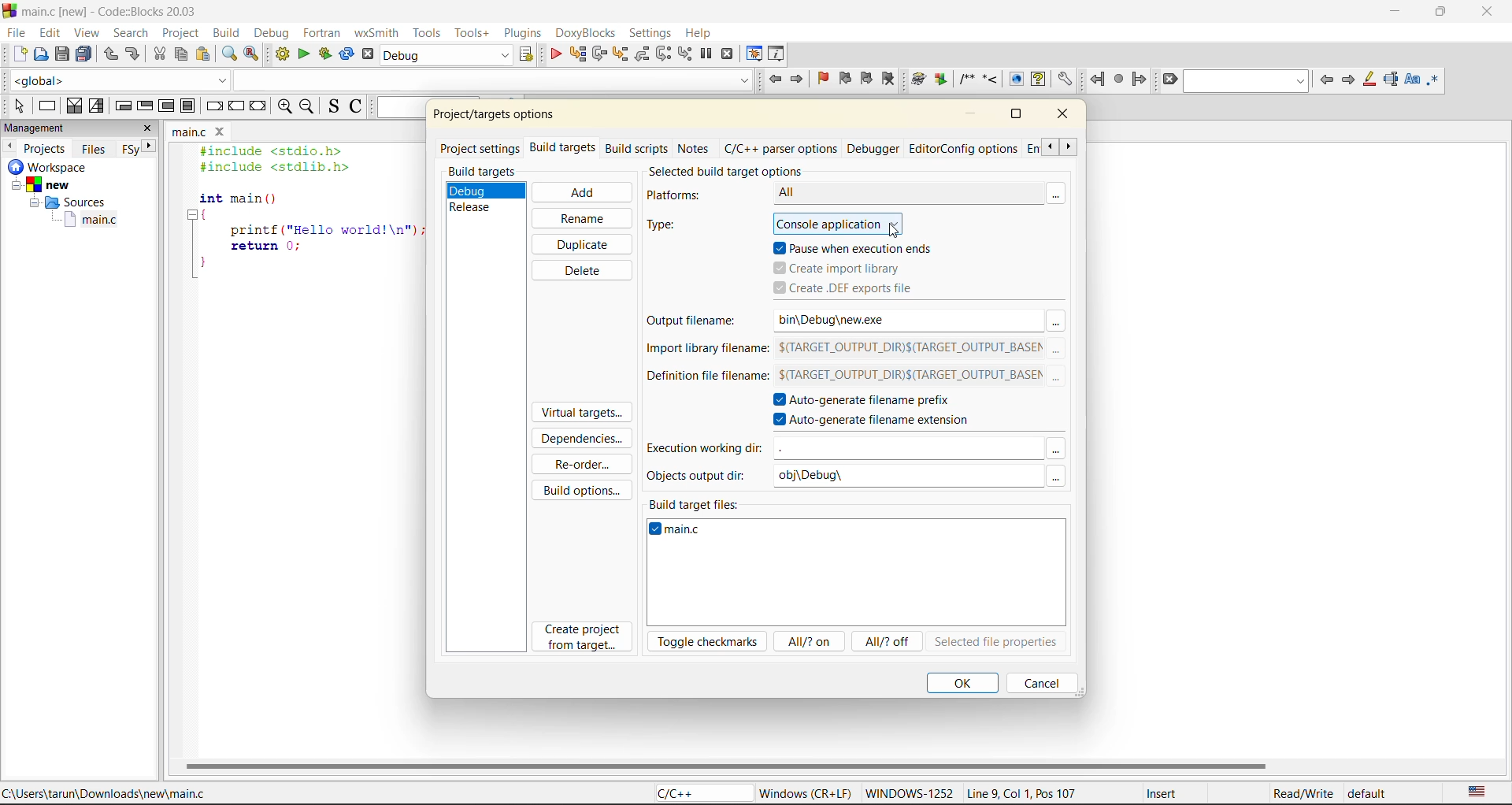  What do you see at coordinates (920, 346) in the screenshot?
I see `$(TARGET_OUTPUT_DIR)$(TARGET_OUTPUT_BASEM` at bounding box center [920, 346].